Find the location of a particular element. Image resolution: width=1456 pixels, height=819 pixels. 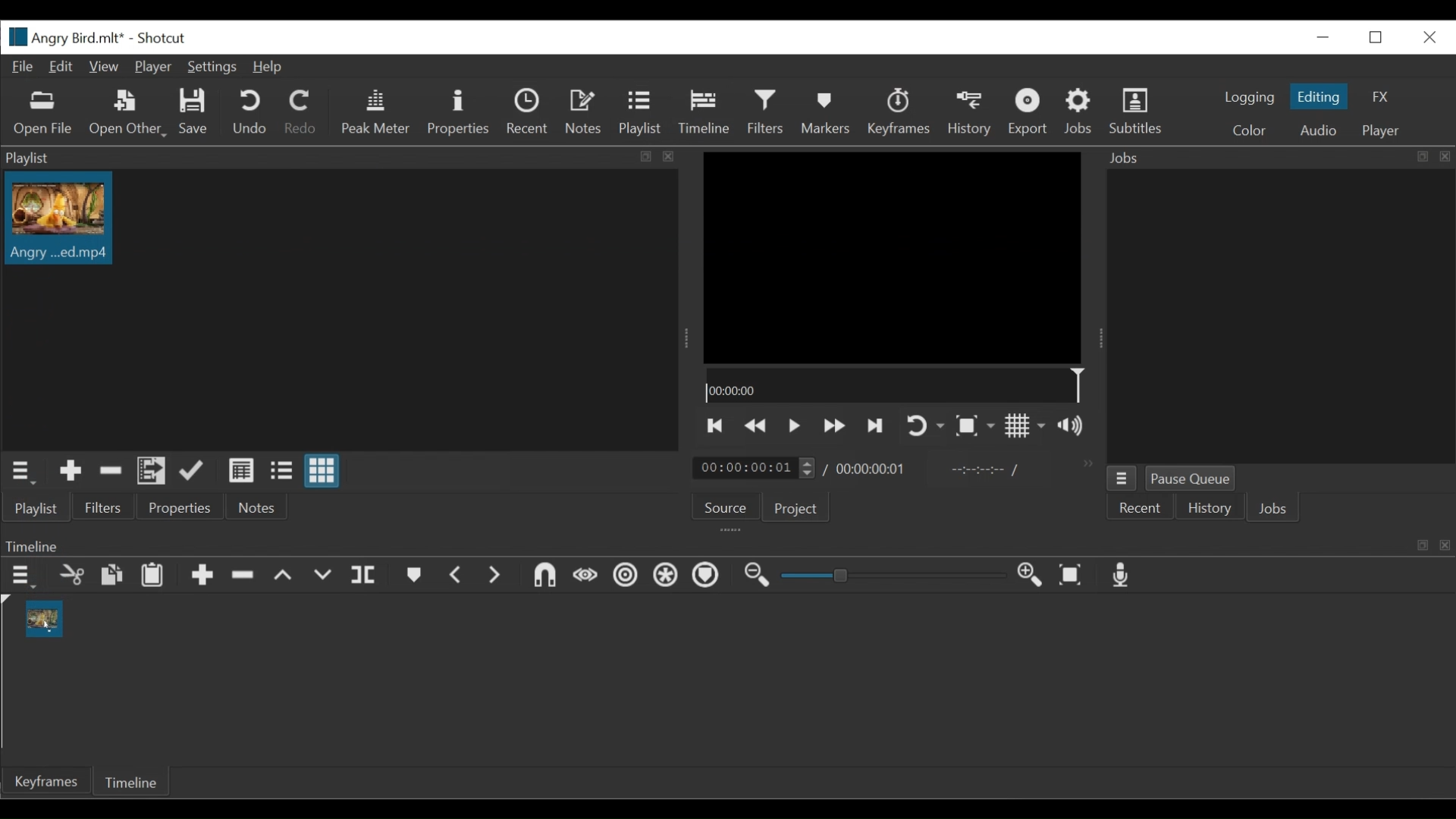

FX is located at coordinates (1381, 96).